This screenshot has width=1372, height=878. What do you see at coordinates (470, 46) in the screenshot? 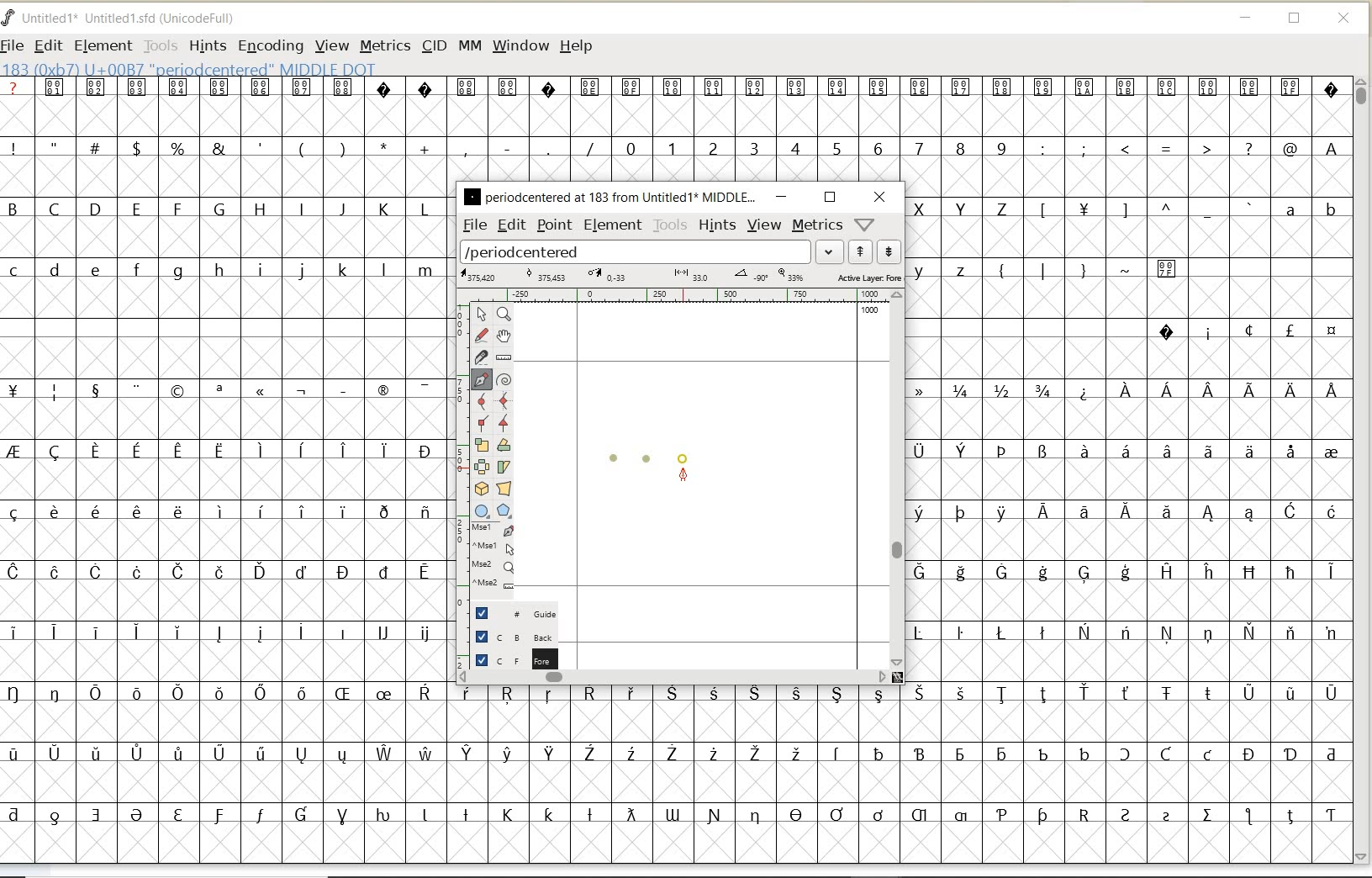
I see `MM` at bounding box center [470, 46].